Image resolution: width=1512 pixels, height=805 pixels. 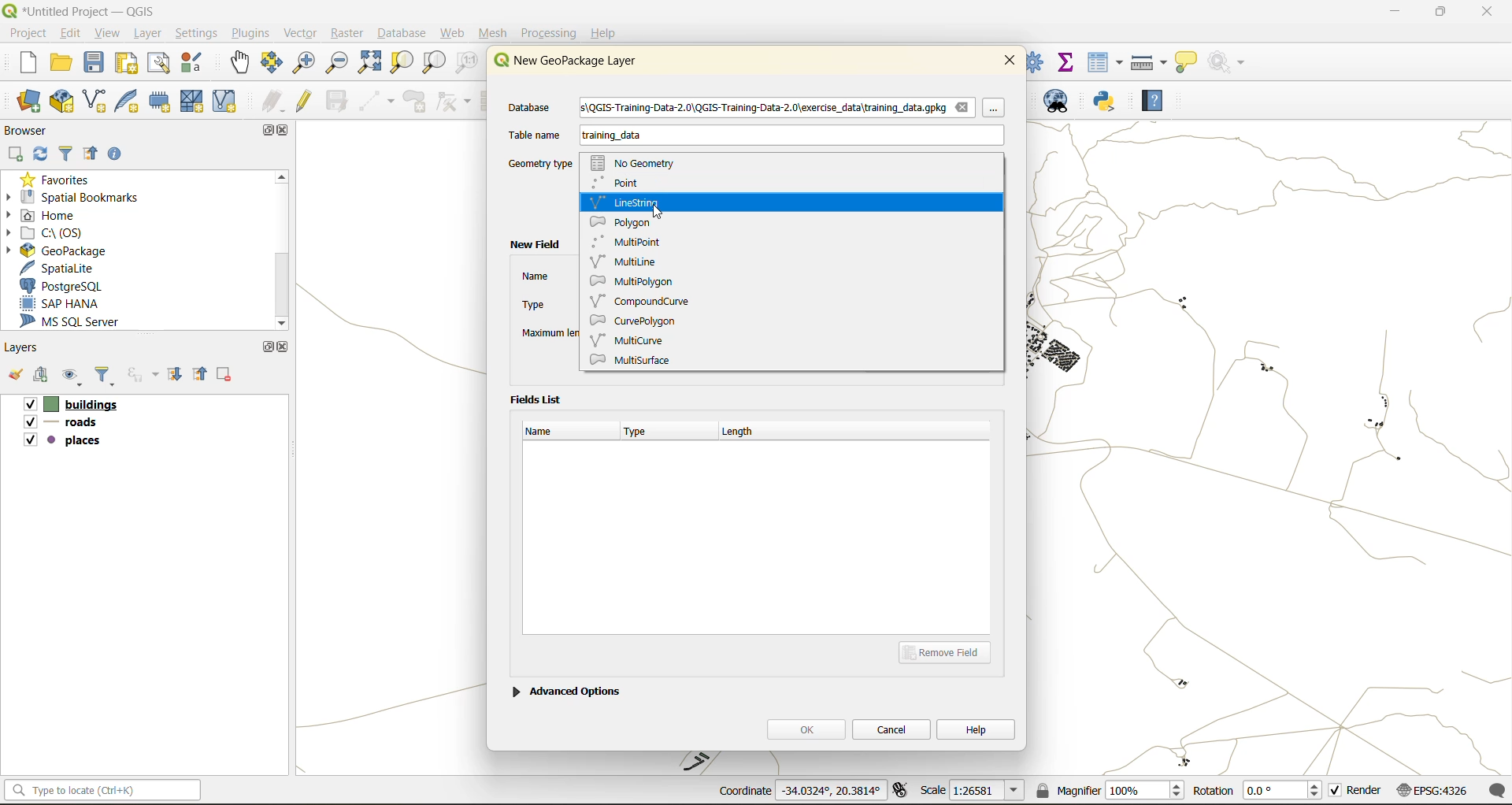 I want to click on cancel, so click(x=893, y=728).